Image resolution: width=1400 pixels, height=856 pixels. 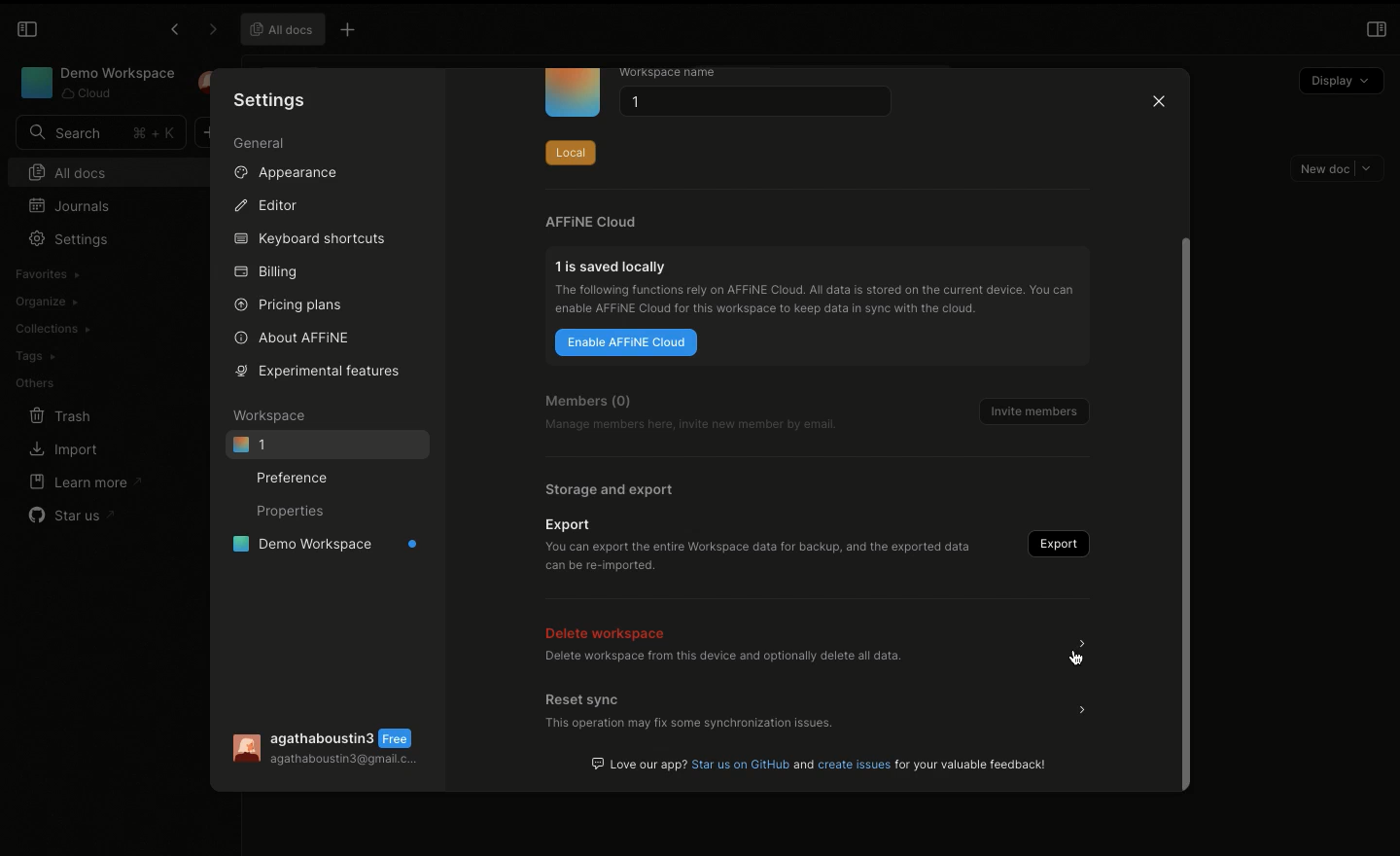 What do you see at coordinates (35, 356) in the screenshot?
I see `Tags` at bounding box center [35, 356].